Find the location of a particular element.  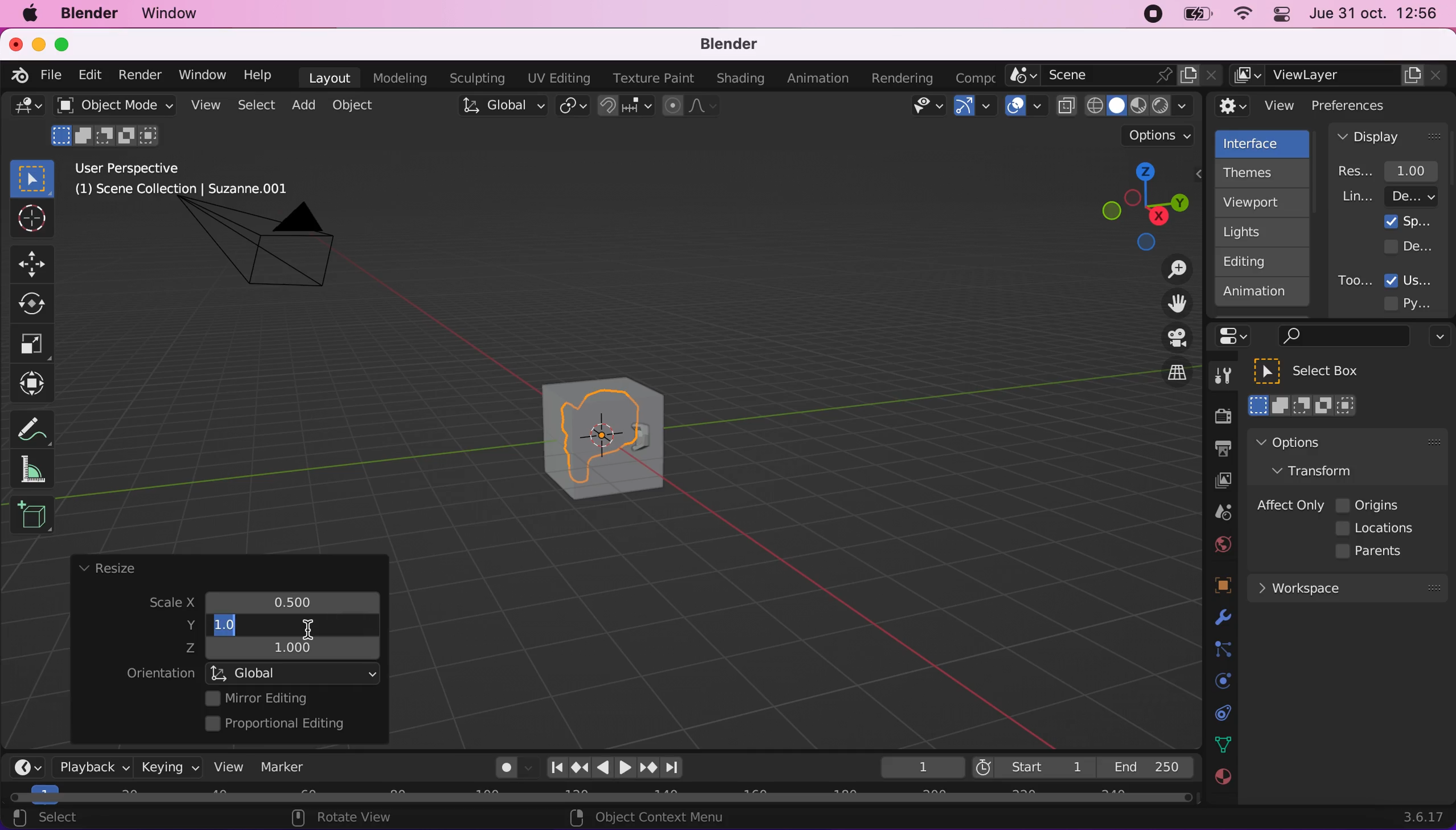

viewport shading is located at coordinates (1128, 105).